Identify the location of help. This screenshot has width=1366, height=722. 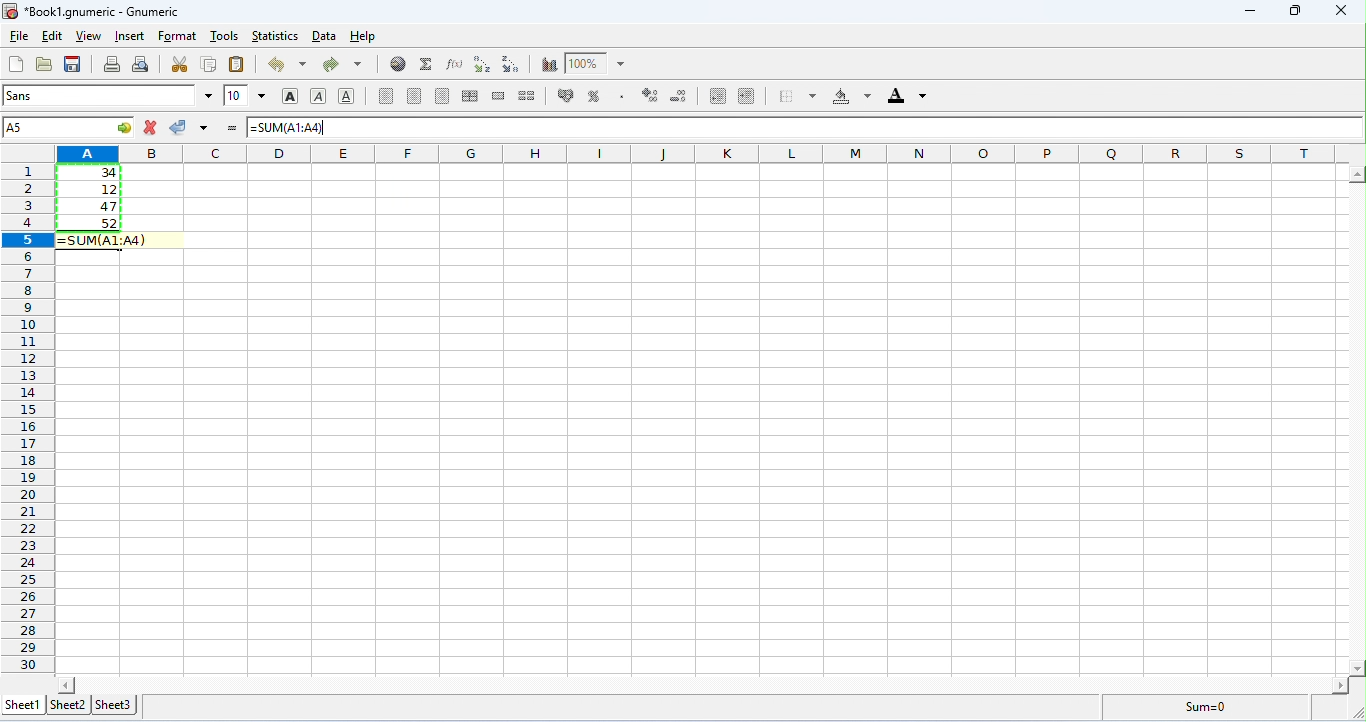
(365, 37).